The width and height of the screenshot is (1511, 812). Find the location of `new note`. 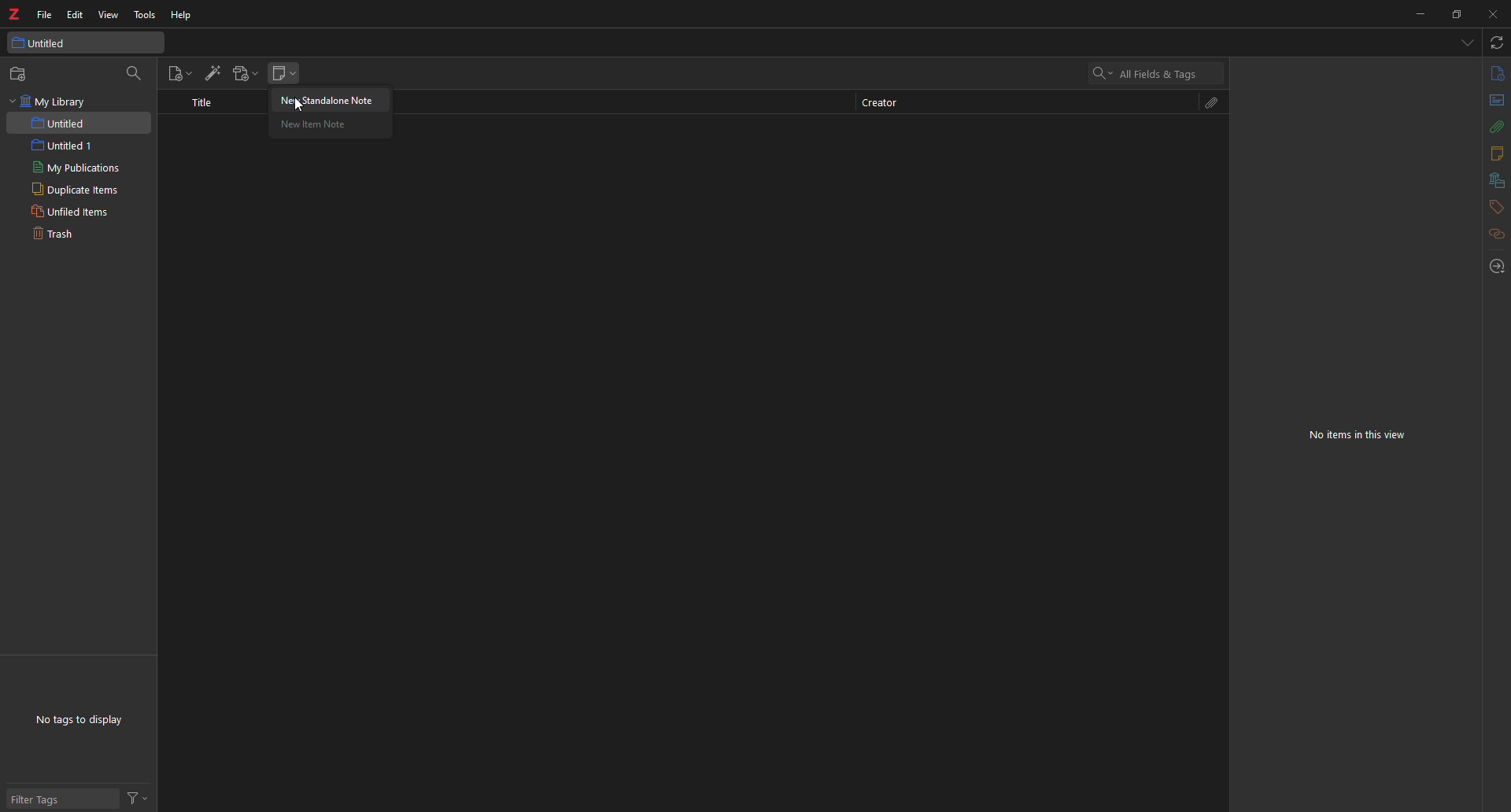

new note is located at coordinates (284, 70).